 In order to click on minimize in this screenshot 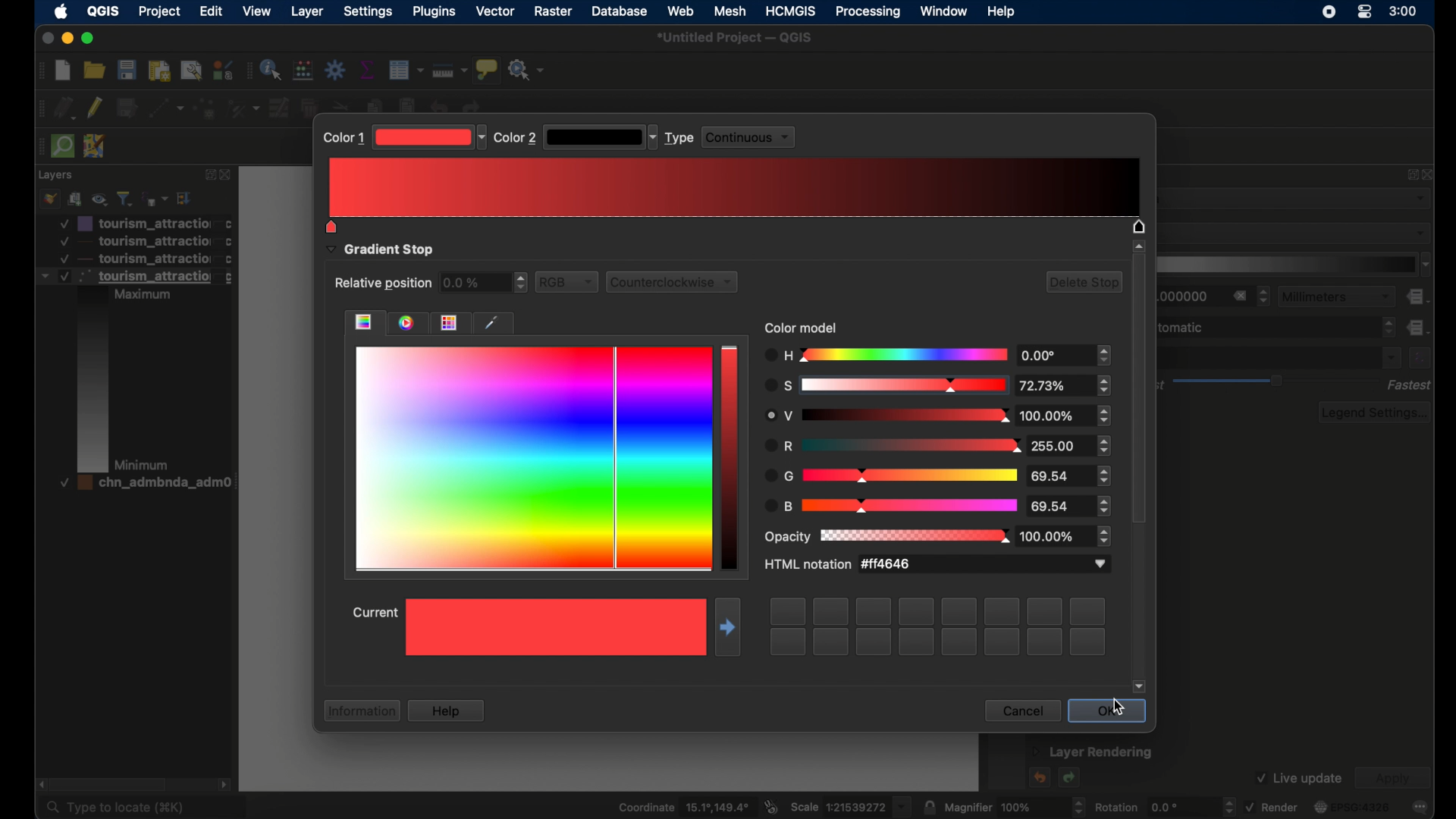, I will do `click(68, 39)`.